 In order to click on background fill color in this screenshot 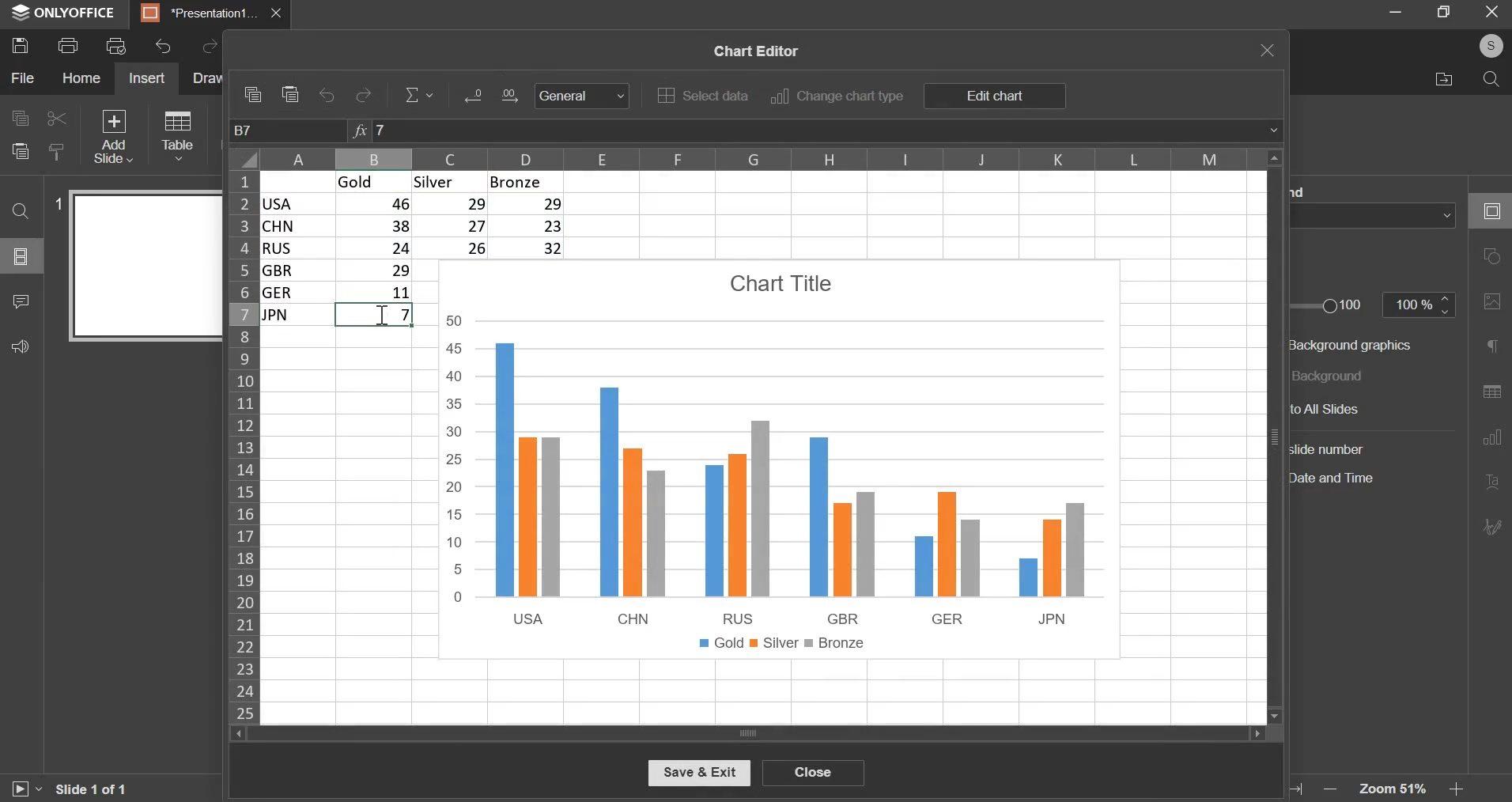, I will do `click(1378, 215)`.